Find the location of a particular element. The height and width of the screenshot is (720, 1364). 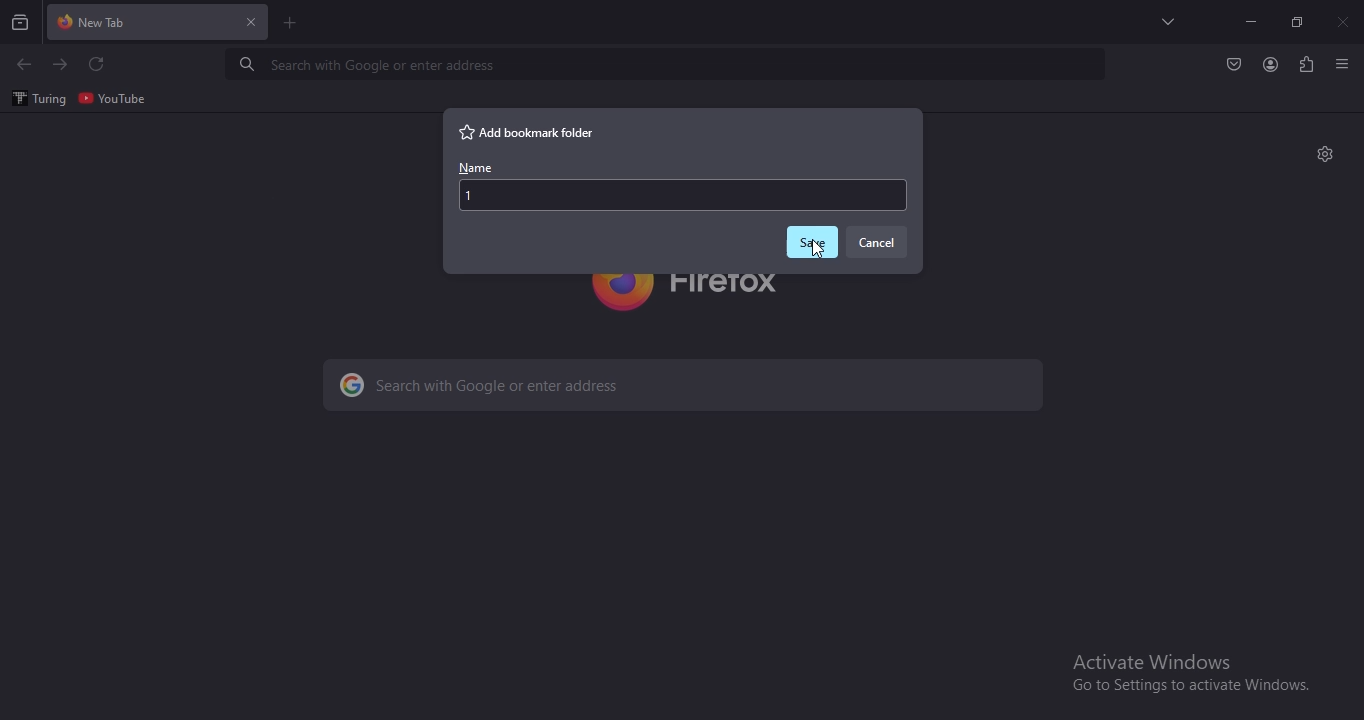

 is located at coordinates (1234, 65).